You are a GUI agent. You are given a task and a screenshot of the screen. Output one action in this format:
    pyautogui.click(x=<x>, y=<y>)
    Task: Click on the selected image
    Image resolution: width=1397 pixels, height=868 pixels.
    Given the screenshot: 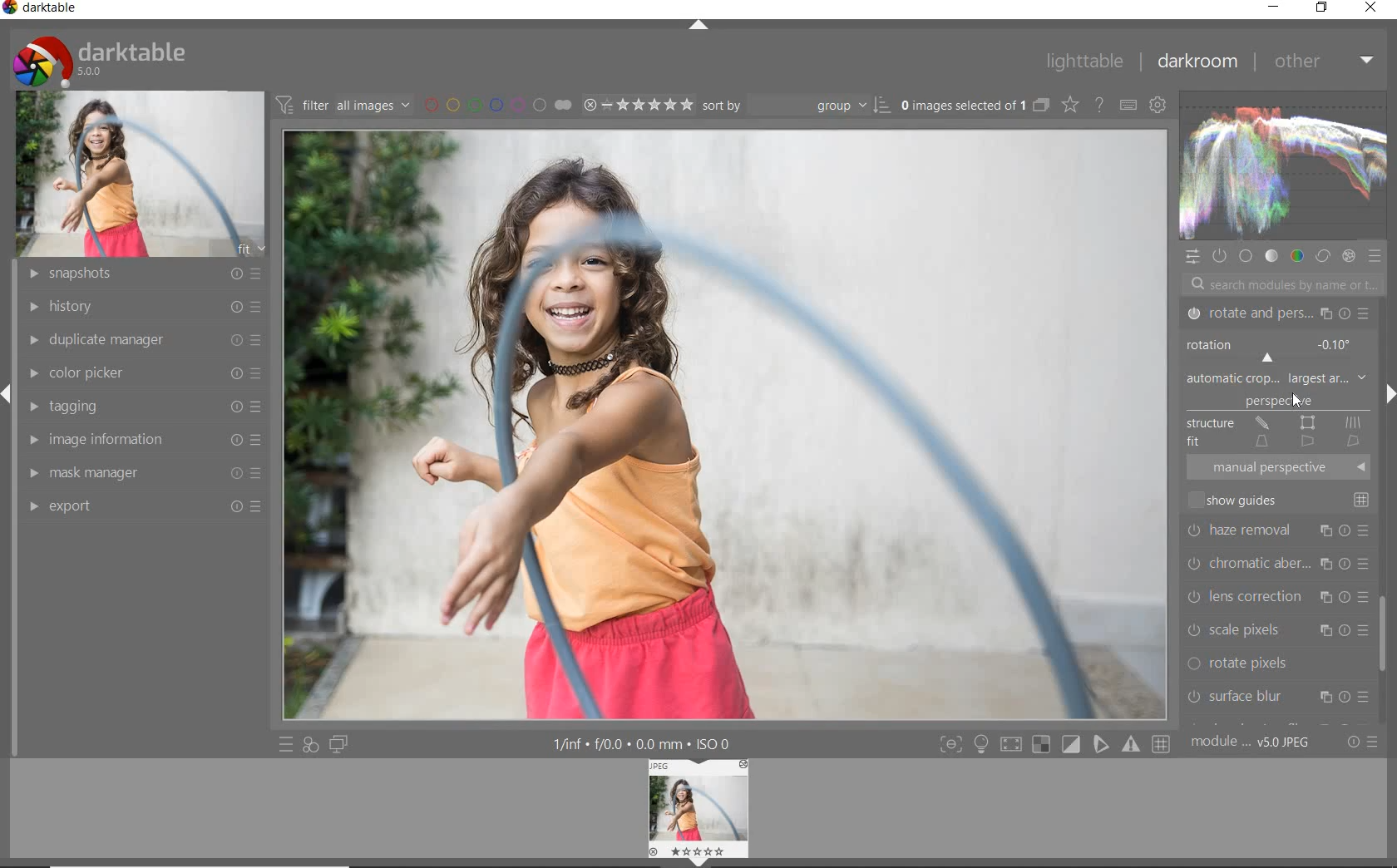 What is the action you would take?
    pyautogui.click(x=723, y=422)
    